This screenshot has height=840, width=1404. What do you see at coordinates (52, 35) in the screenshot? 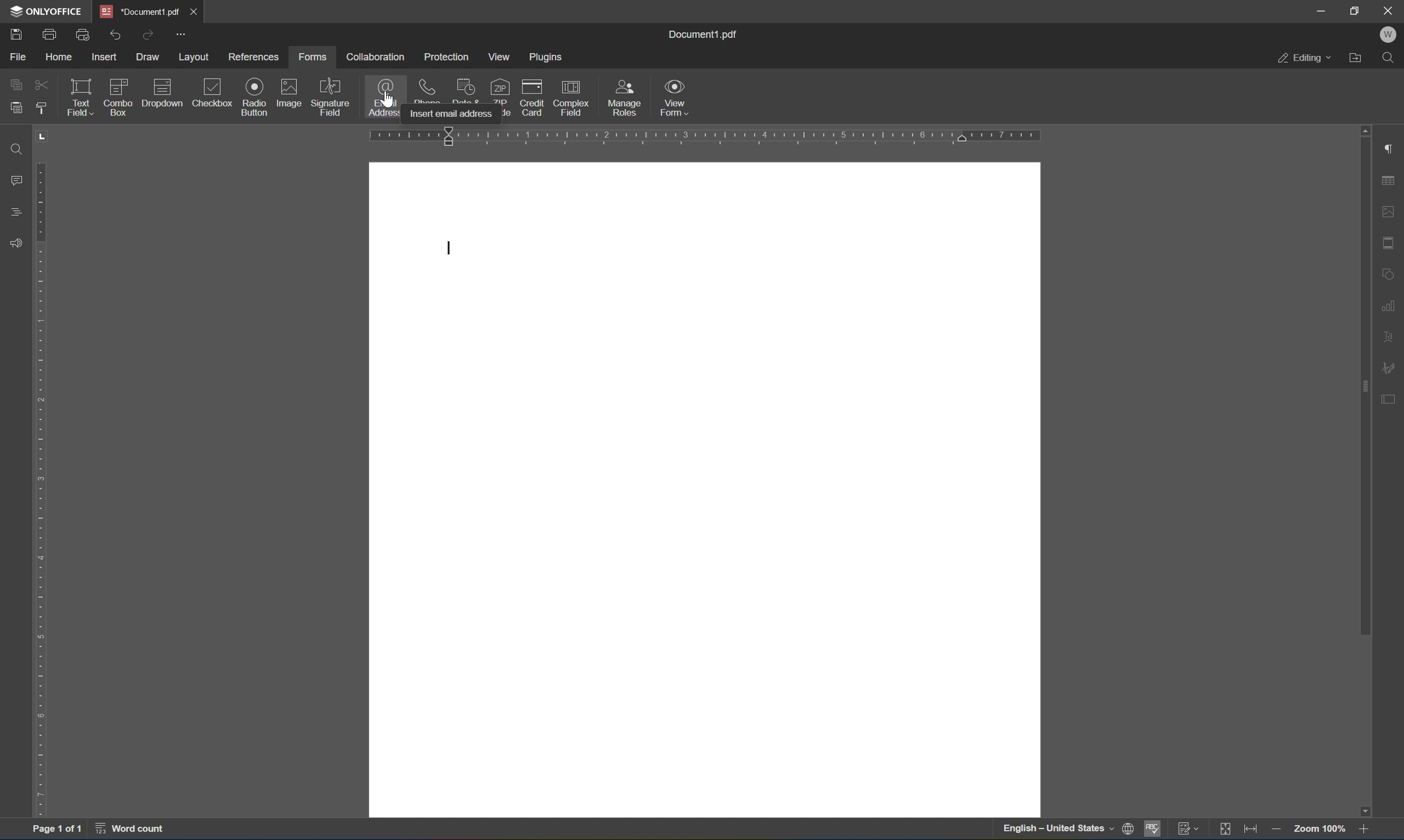
I see `print` at bounding box center [52, 35].